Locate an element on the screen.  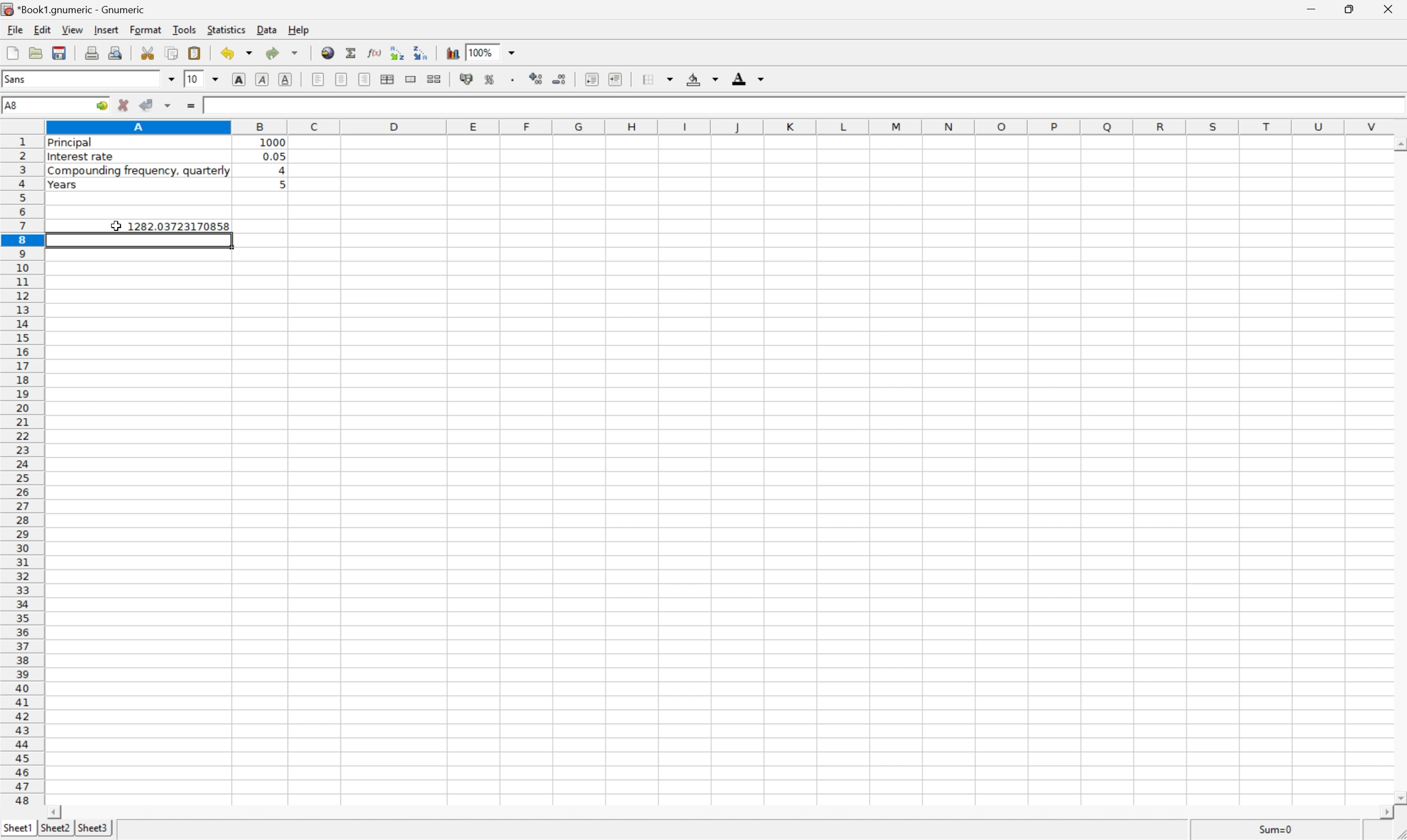
sheet1 is located at coordinates (17, 829).